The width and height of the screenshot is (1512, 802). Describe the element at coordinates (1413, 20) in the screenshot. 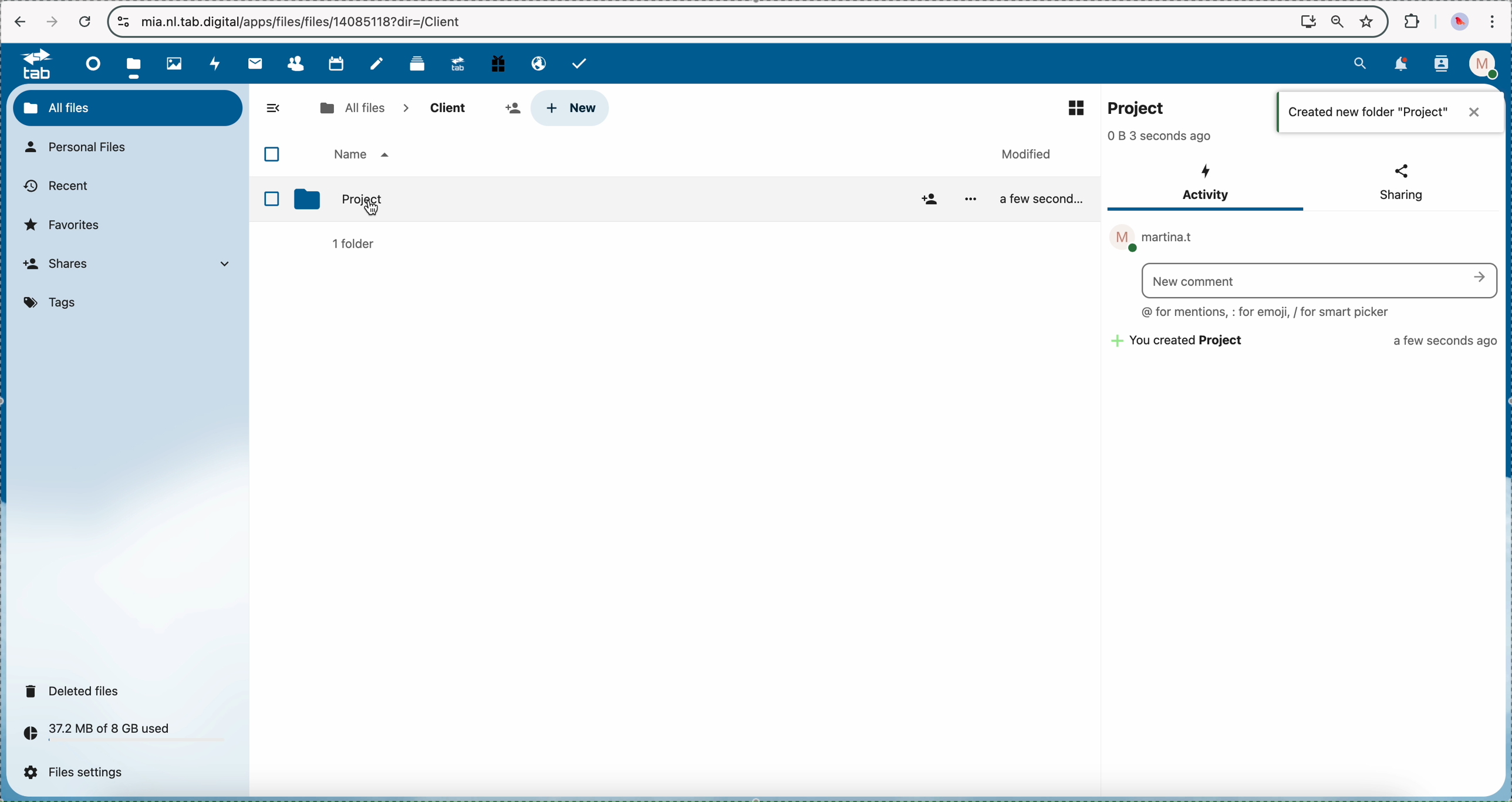

I see `extensions` at that location.